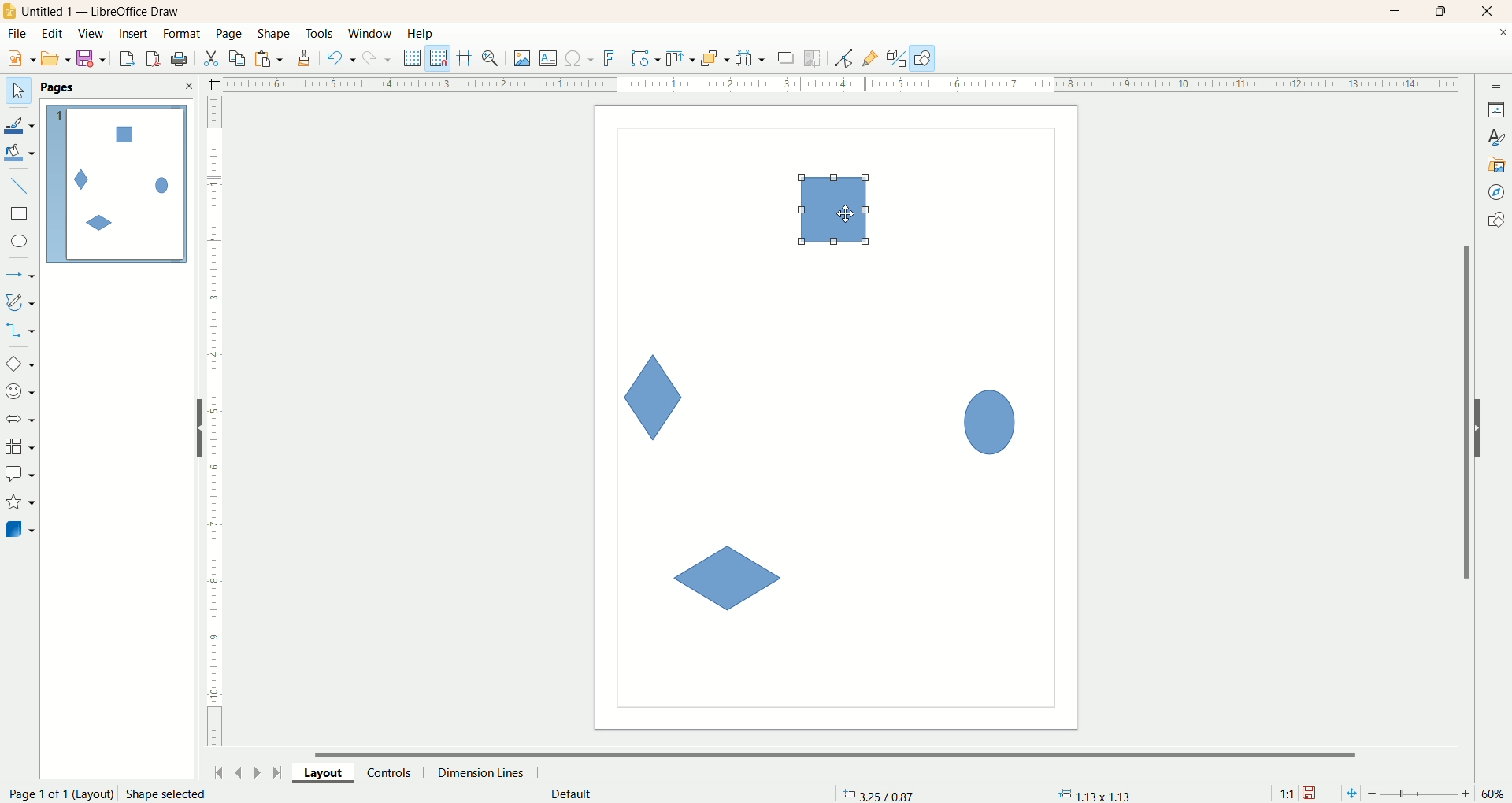  I want to click on stars and banners, so click(19, 501).